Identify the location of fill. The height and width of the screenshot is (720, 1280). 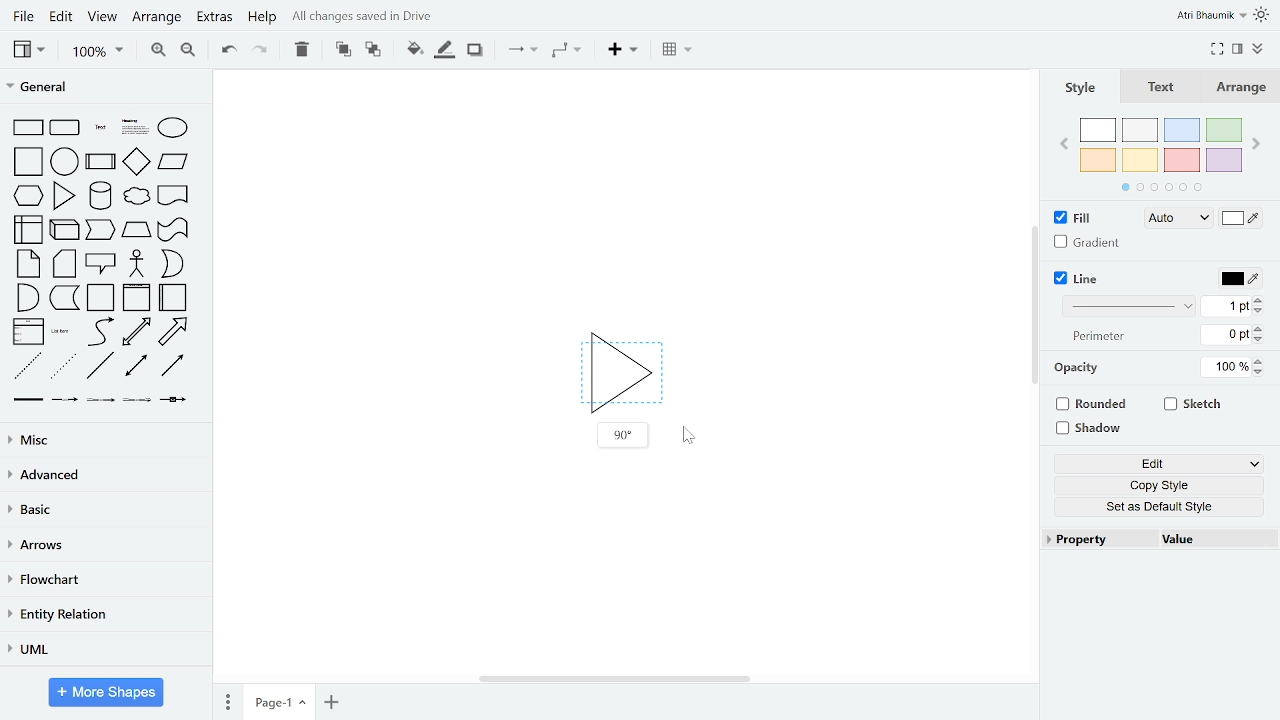
(1082, 218).